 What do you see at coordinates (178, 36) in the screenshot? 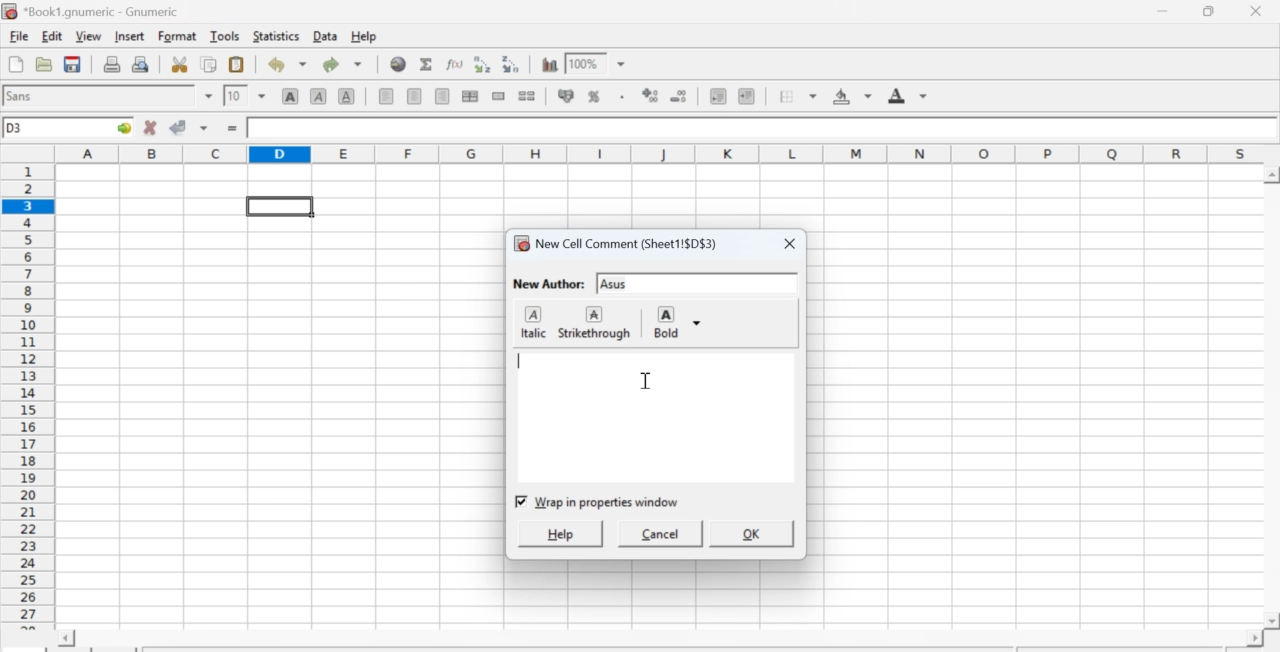
I see `Format` at bounding box center [178, 36].